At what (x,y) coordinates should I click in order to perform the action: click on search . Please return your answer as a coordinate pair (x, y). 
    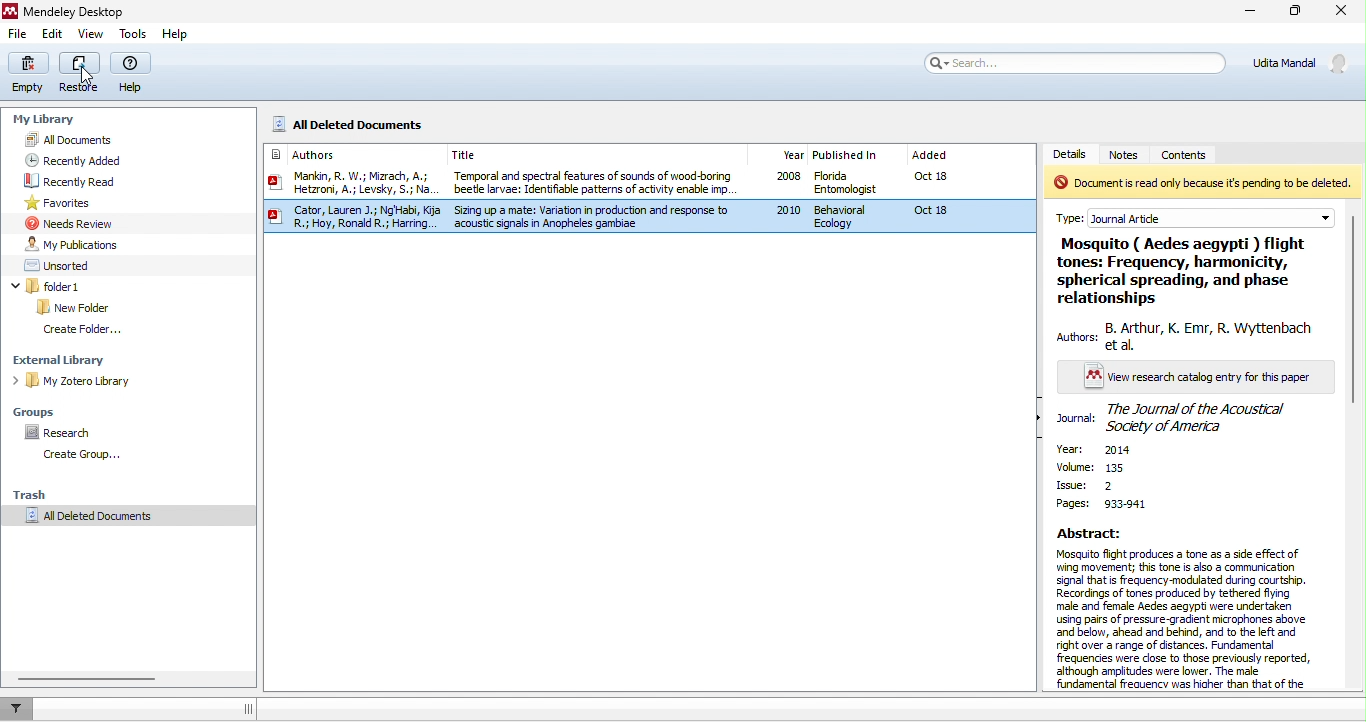
    Looking at the image, I should click on (1072, 62).